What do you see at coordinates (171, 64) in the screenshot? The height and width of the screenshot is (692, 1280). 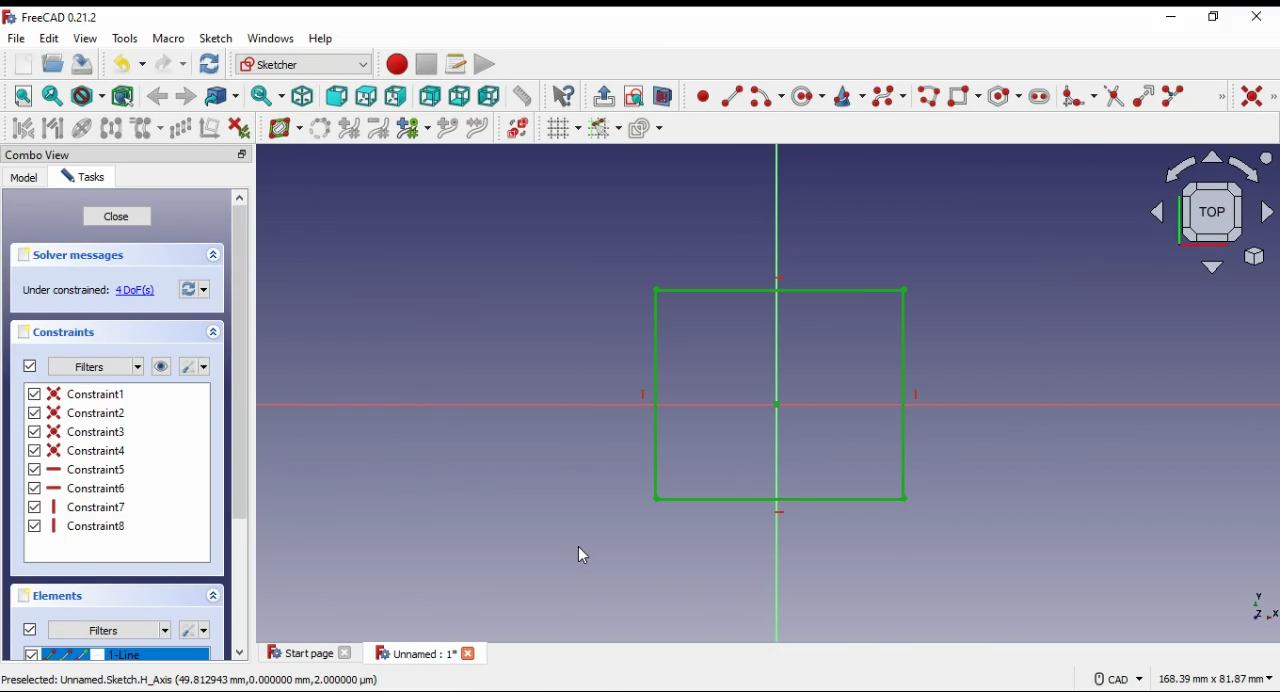 I see `redo` at bounding box center [171, 64].